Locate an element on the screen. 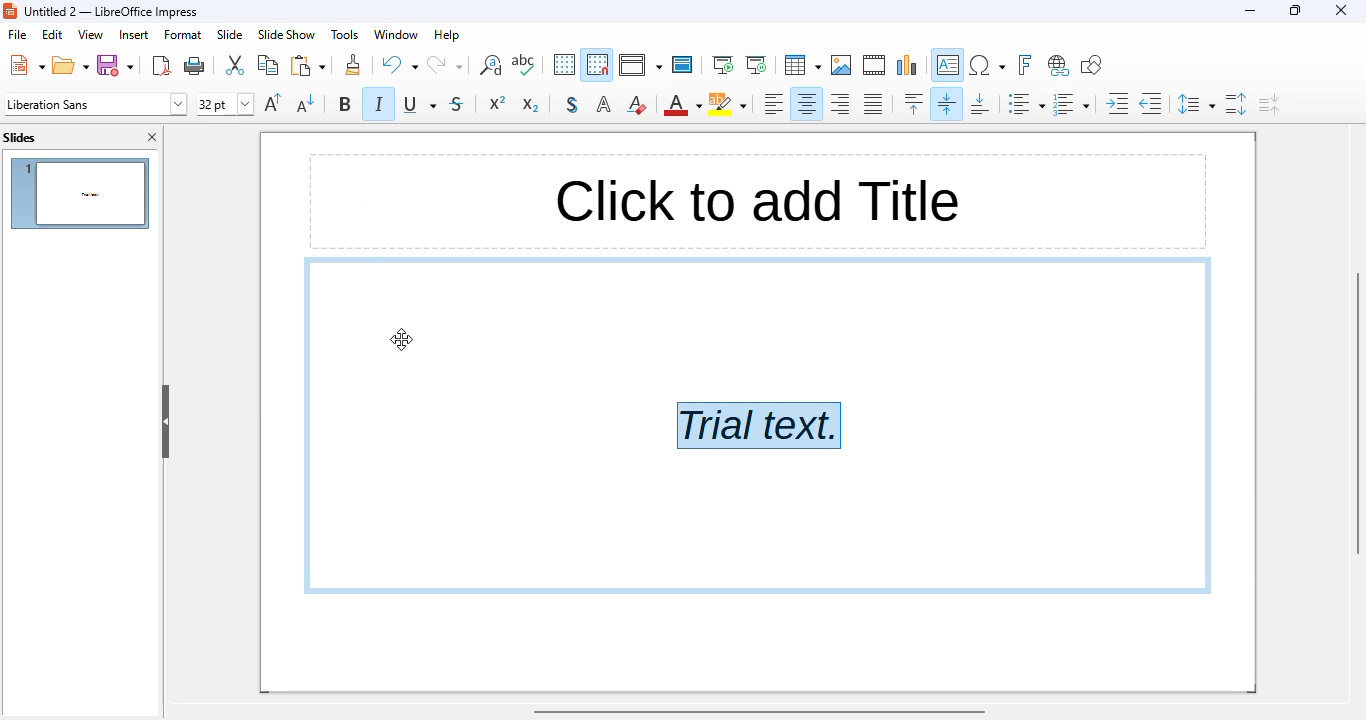  insert image is located at coordinates (842, 65).